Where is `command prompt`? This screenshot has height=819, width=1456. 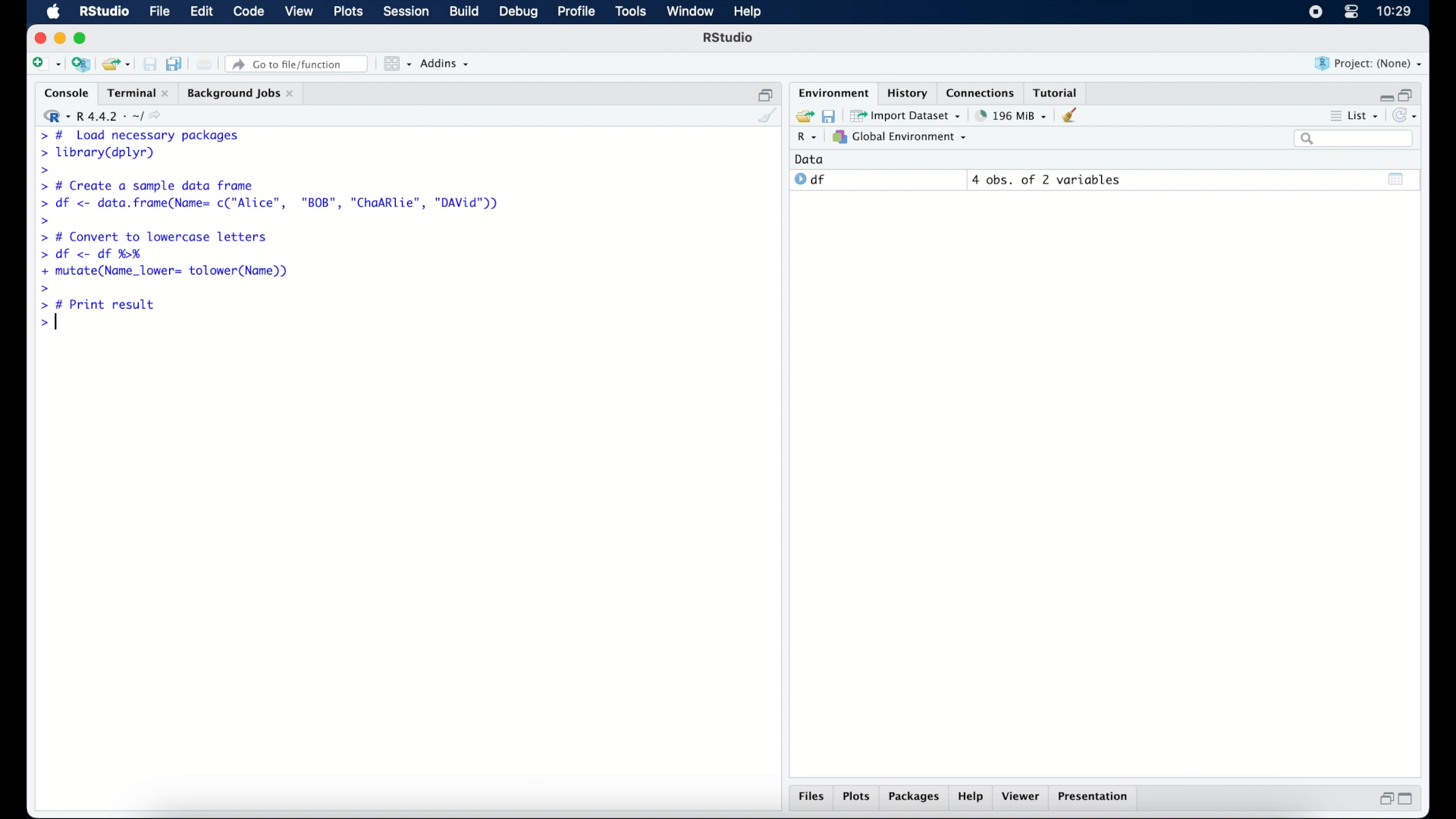 command prompt is located at coordinates (42, 171).